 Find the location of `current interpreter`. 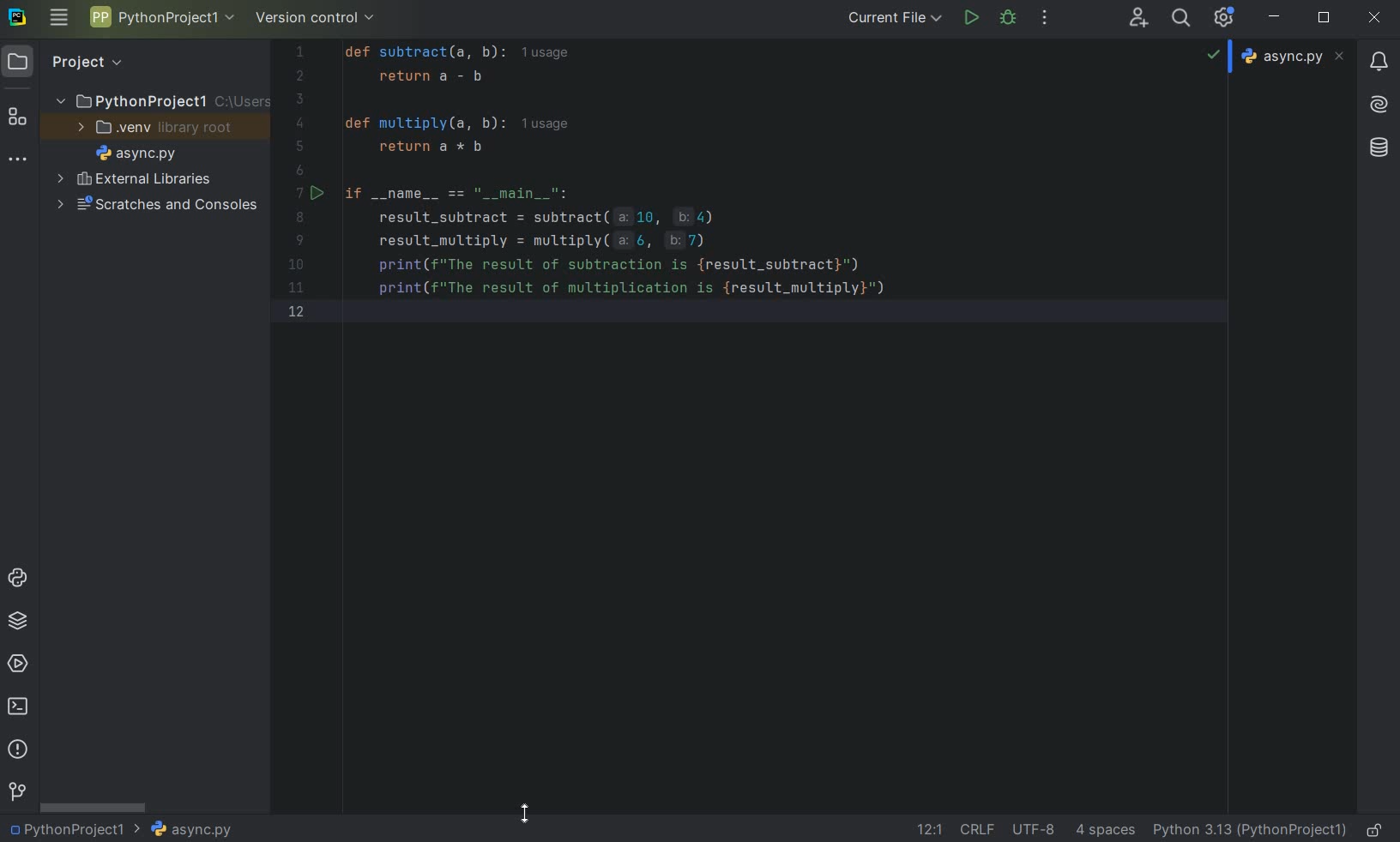

current interpreter is located at coordinates (1250, 831).